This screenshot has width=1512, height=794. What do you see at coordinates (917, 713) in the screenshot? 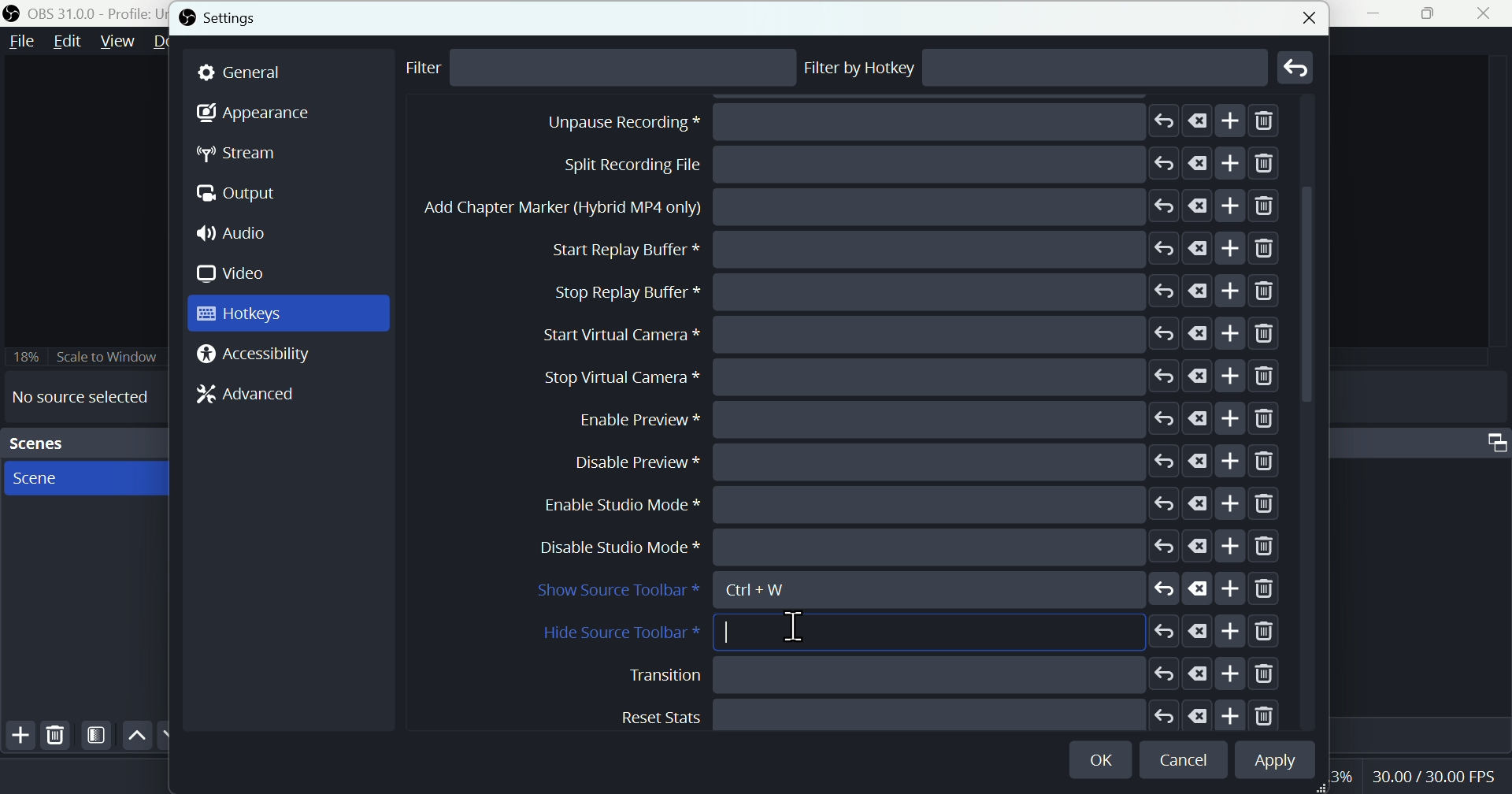
I see `Enable studio mode` at bounding box center [917, 713].